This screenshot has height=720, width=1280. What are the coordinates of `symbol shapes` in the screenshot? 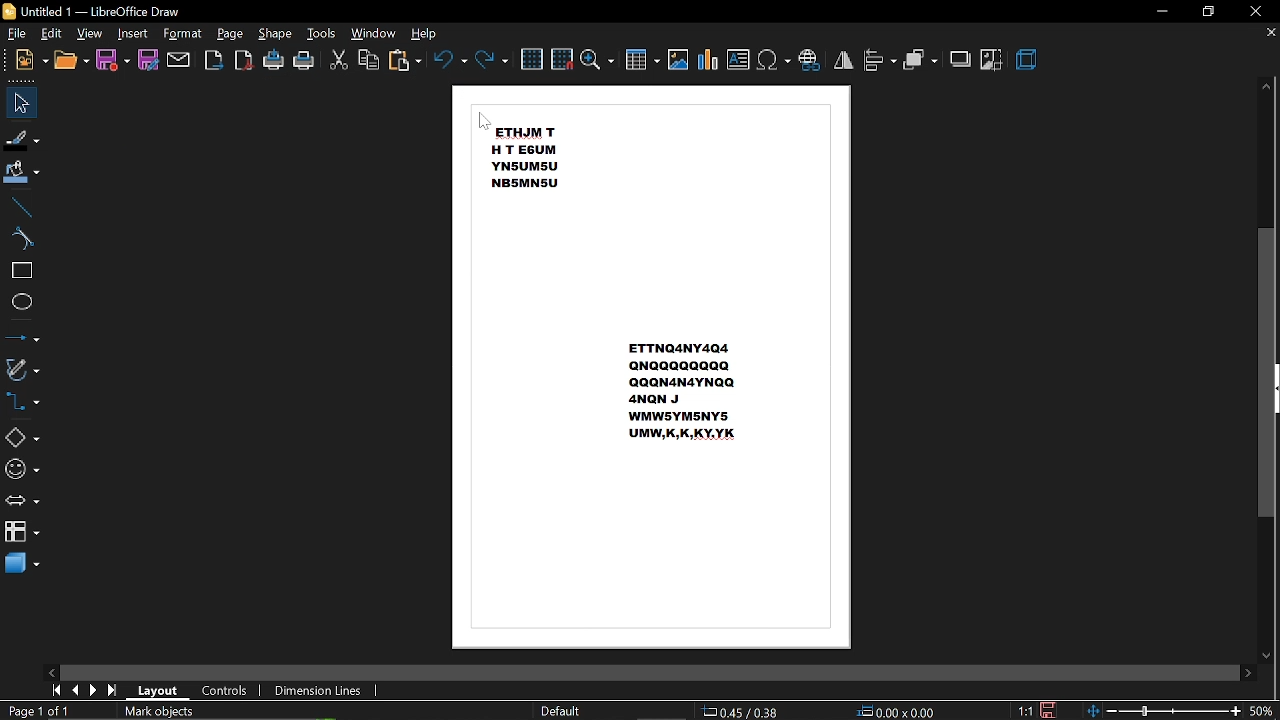 It's located at (22, 469).